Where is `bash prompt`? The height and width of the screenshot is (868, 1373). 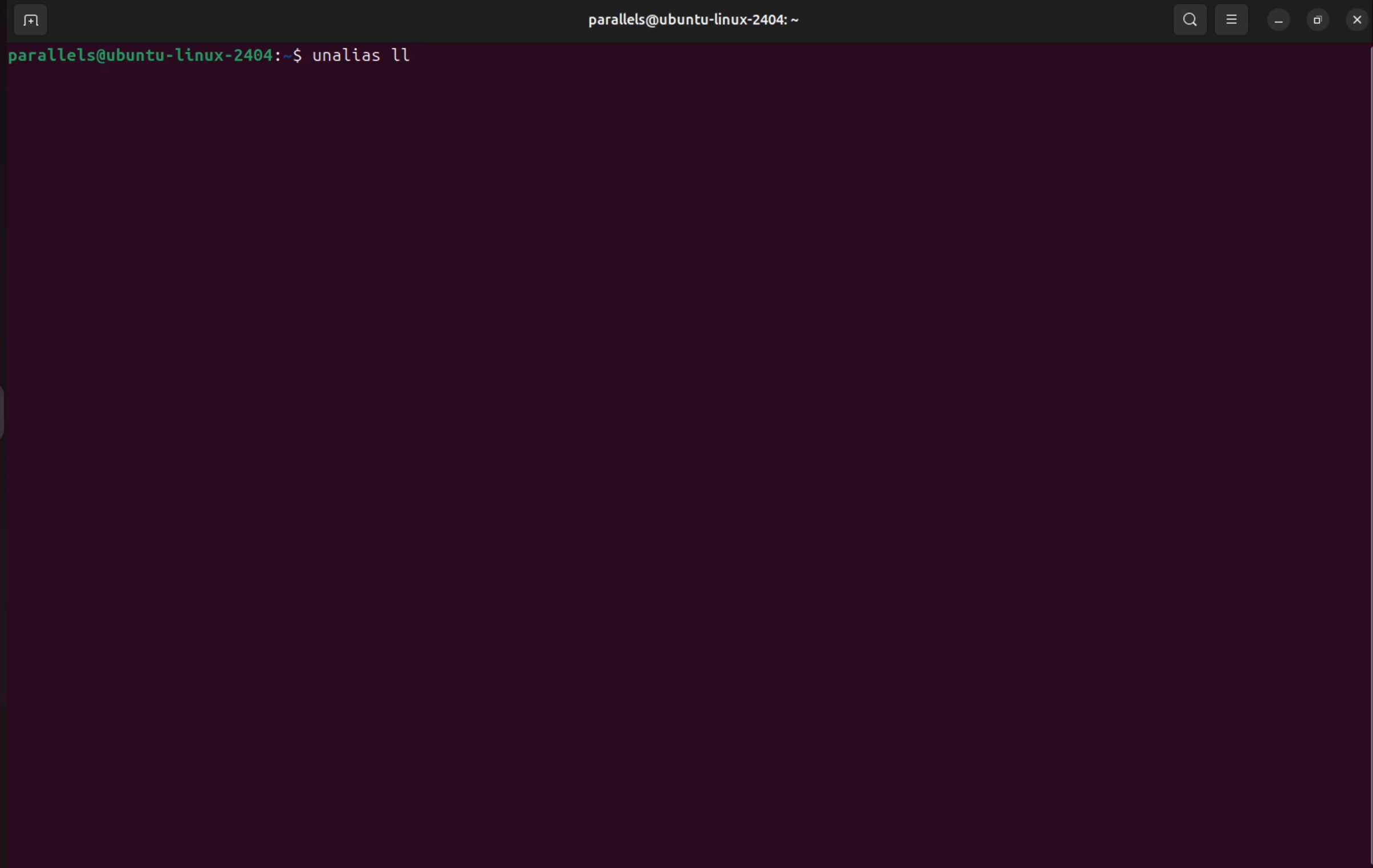
bash prompt is located at coordinates (153, 55).